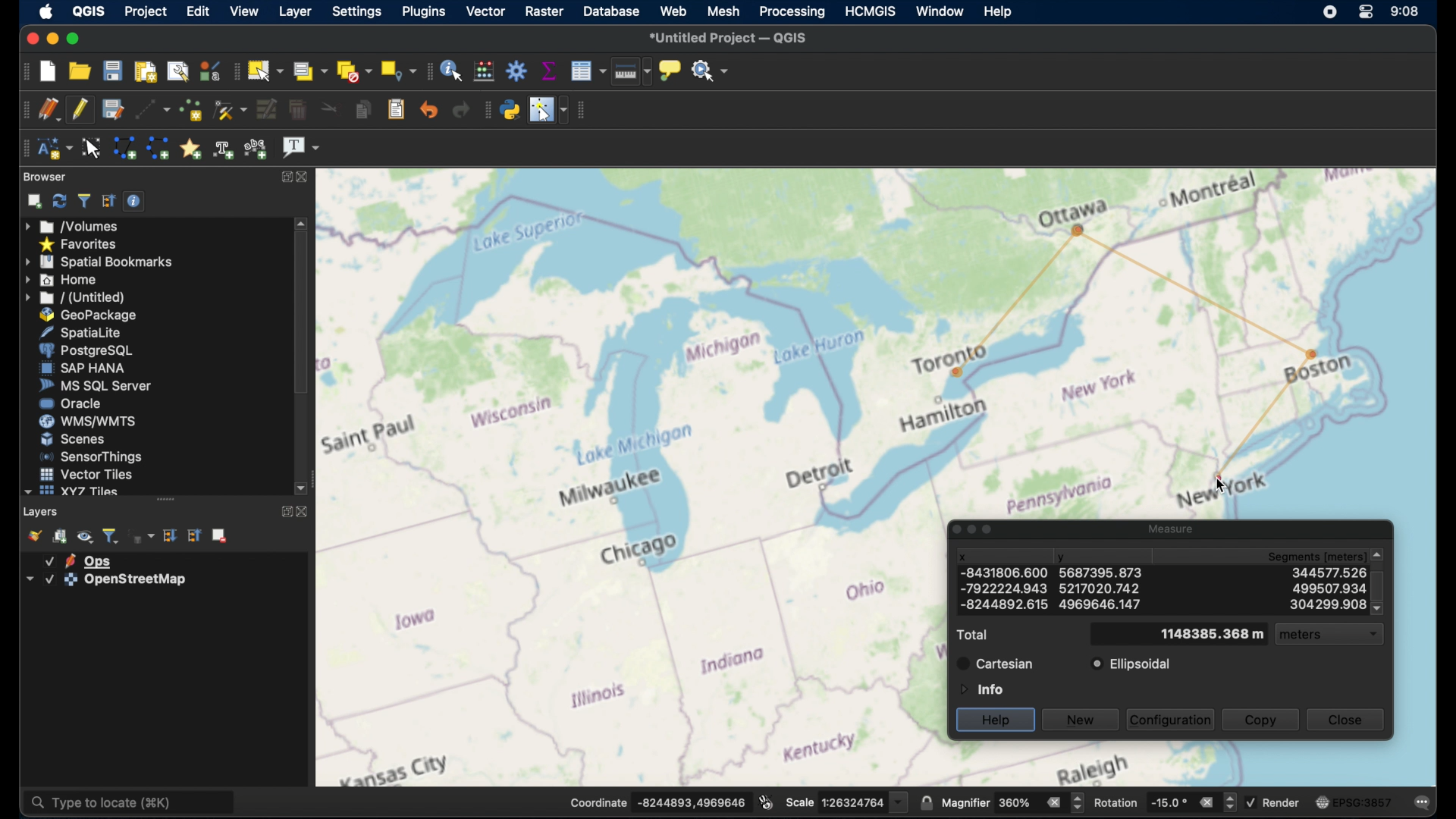  What do you see at coordinates (265, 108) in the screenshot?
I see `modify` at bounding box center [265, 108].